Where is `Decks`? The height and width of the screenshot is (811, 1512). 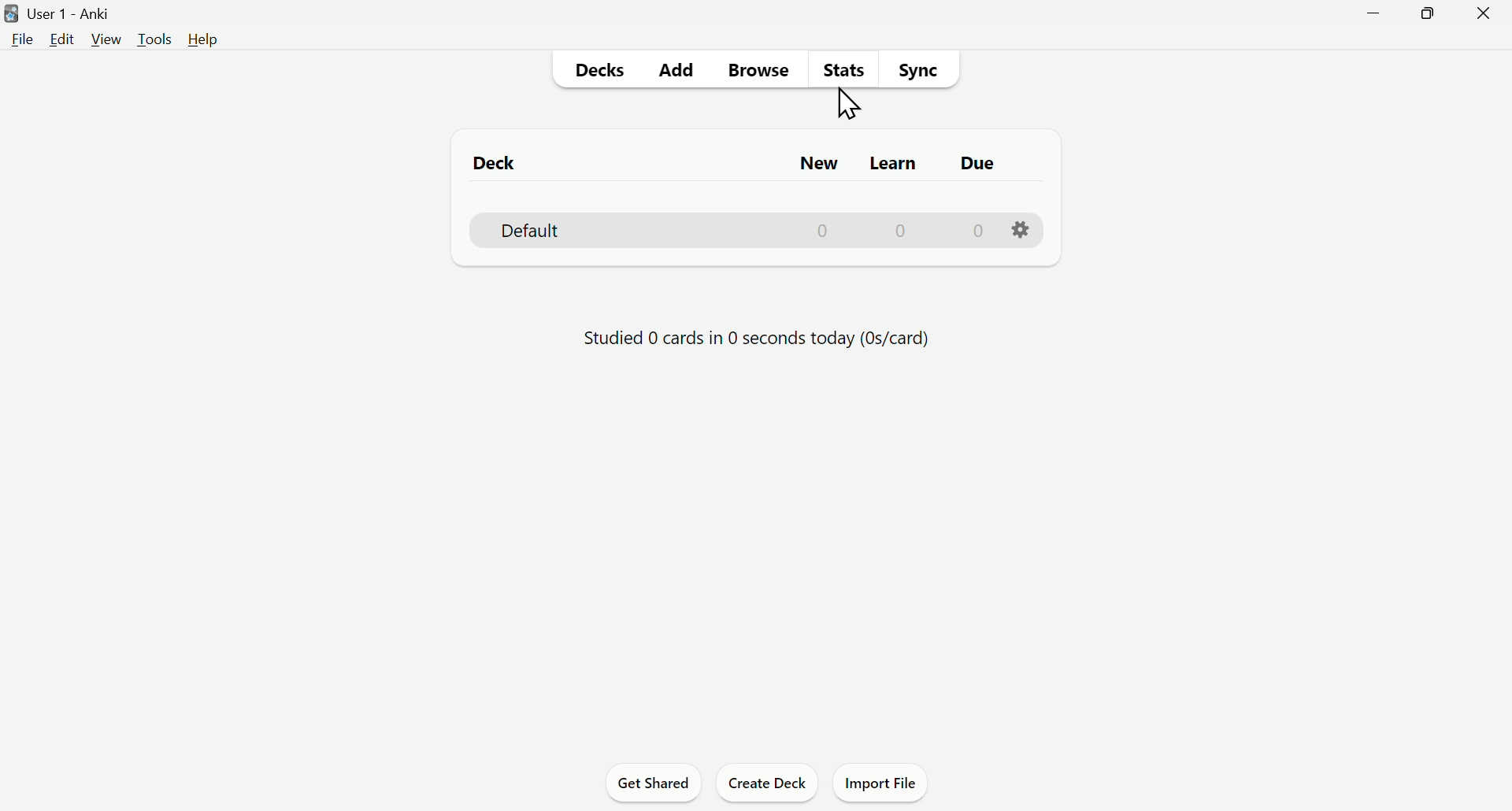 Decks is located at coordinates (602, 74).